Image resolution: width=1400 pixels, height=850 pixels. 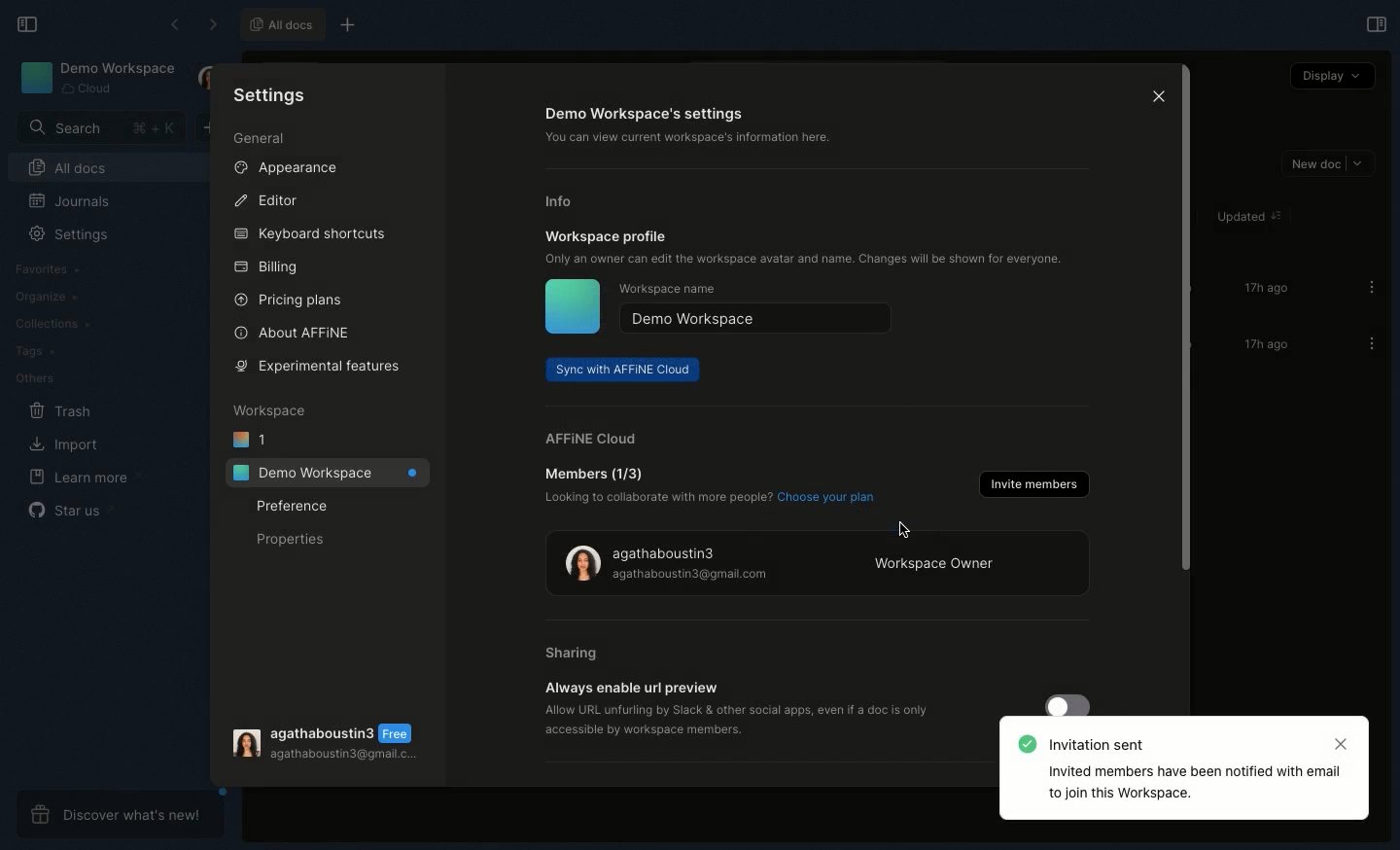 What do you see at coordinates (310, 230) in the screenshot?
I see `Keyboard shortcuts` at bounding box center [310, 230].